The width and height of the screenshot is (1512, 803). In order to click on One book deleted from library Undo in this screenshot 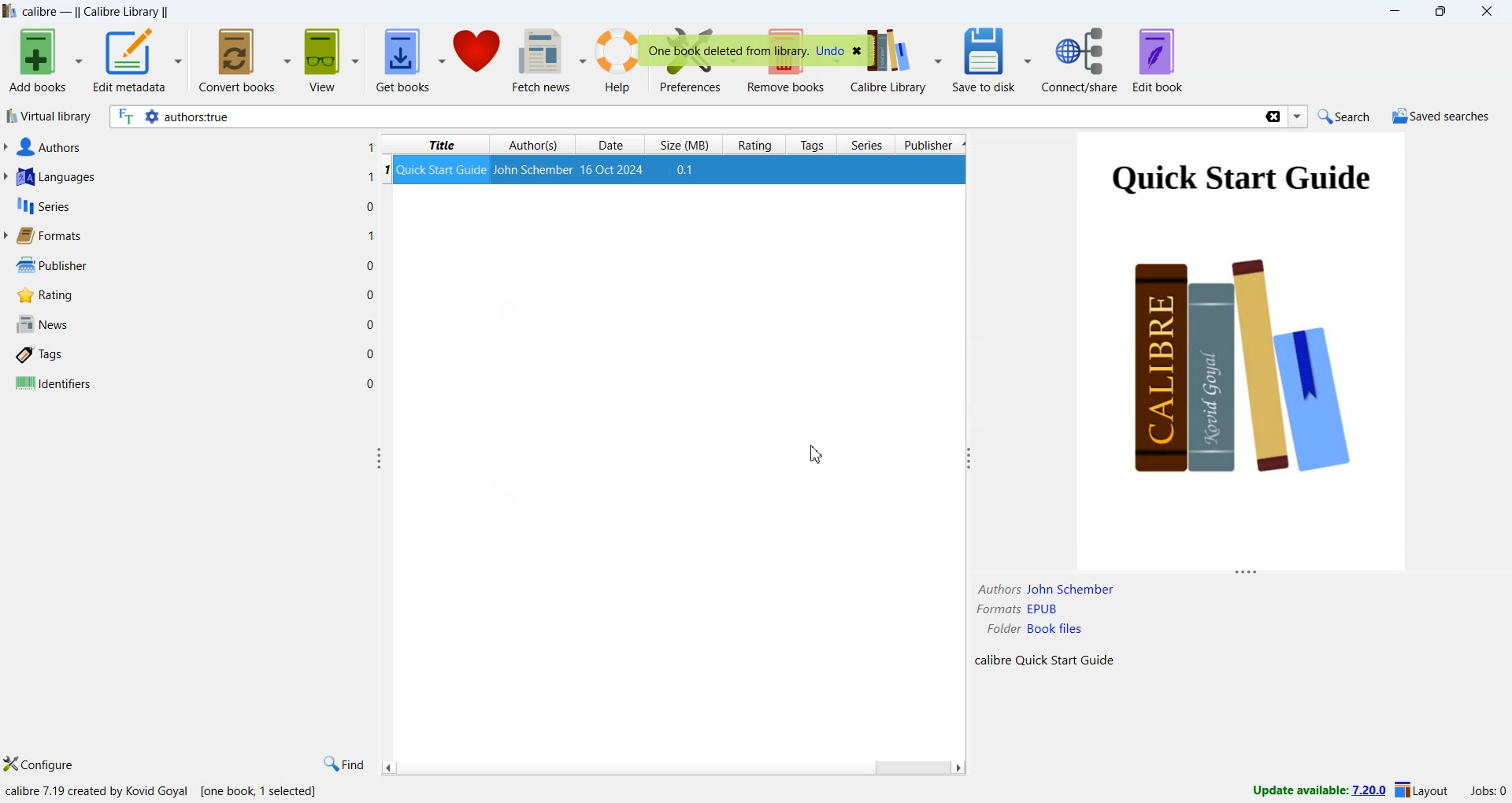, I will do `click(830, 52)`.